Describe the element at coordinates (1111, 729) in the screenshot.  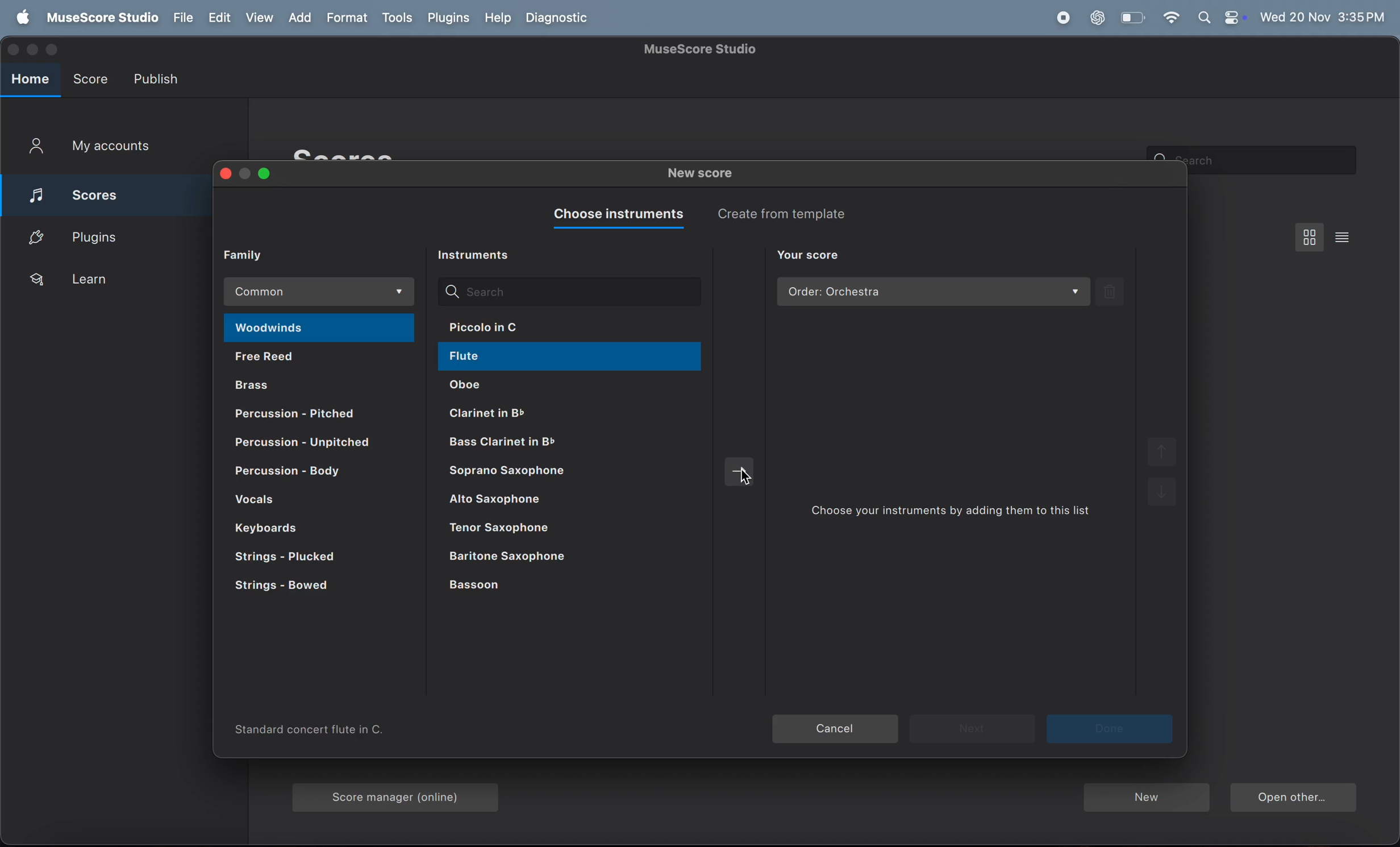
I see `next` at that location.